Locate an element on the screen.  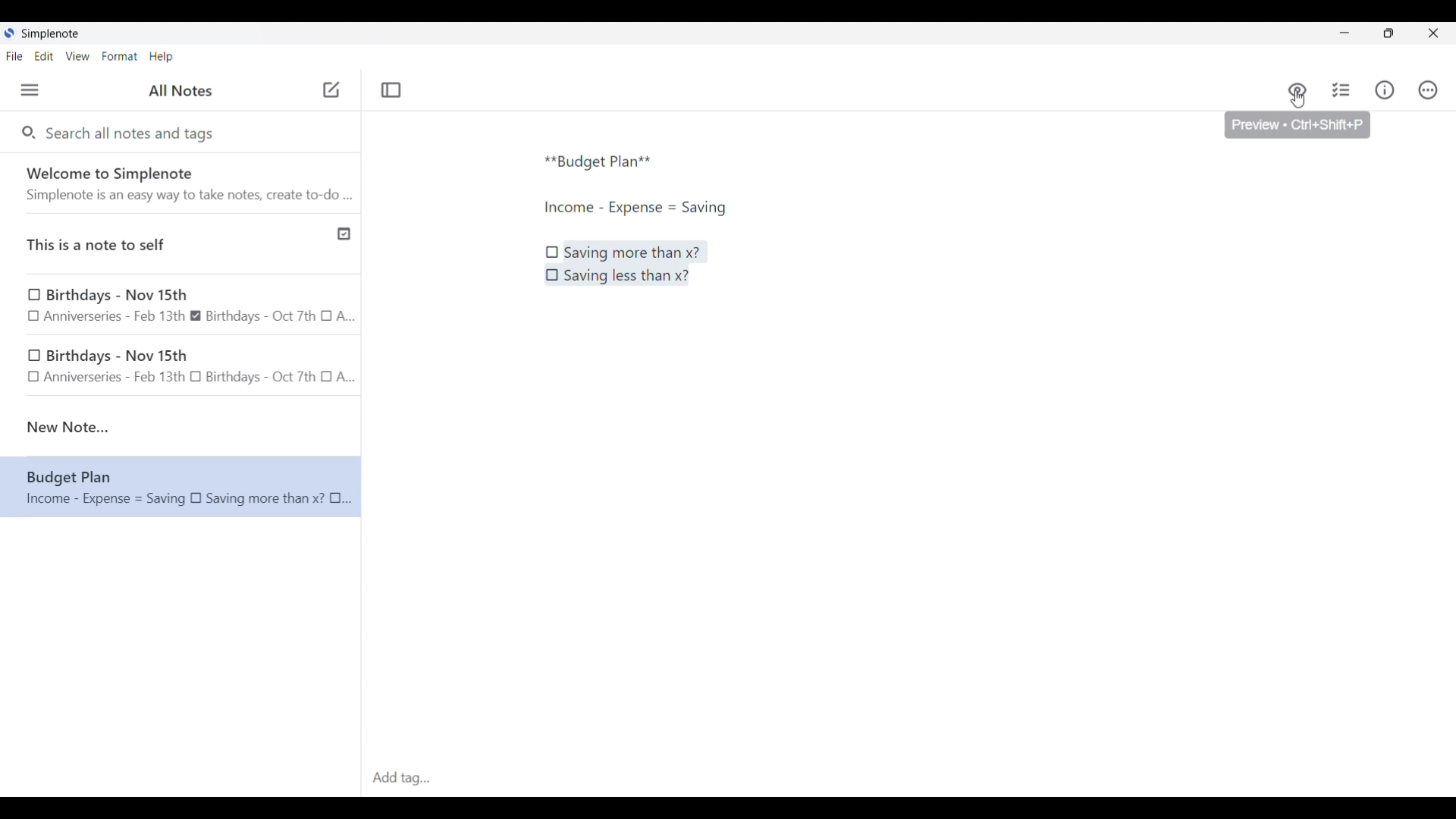
File menu is located at coordinates (14, 55).